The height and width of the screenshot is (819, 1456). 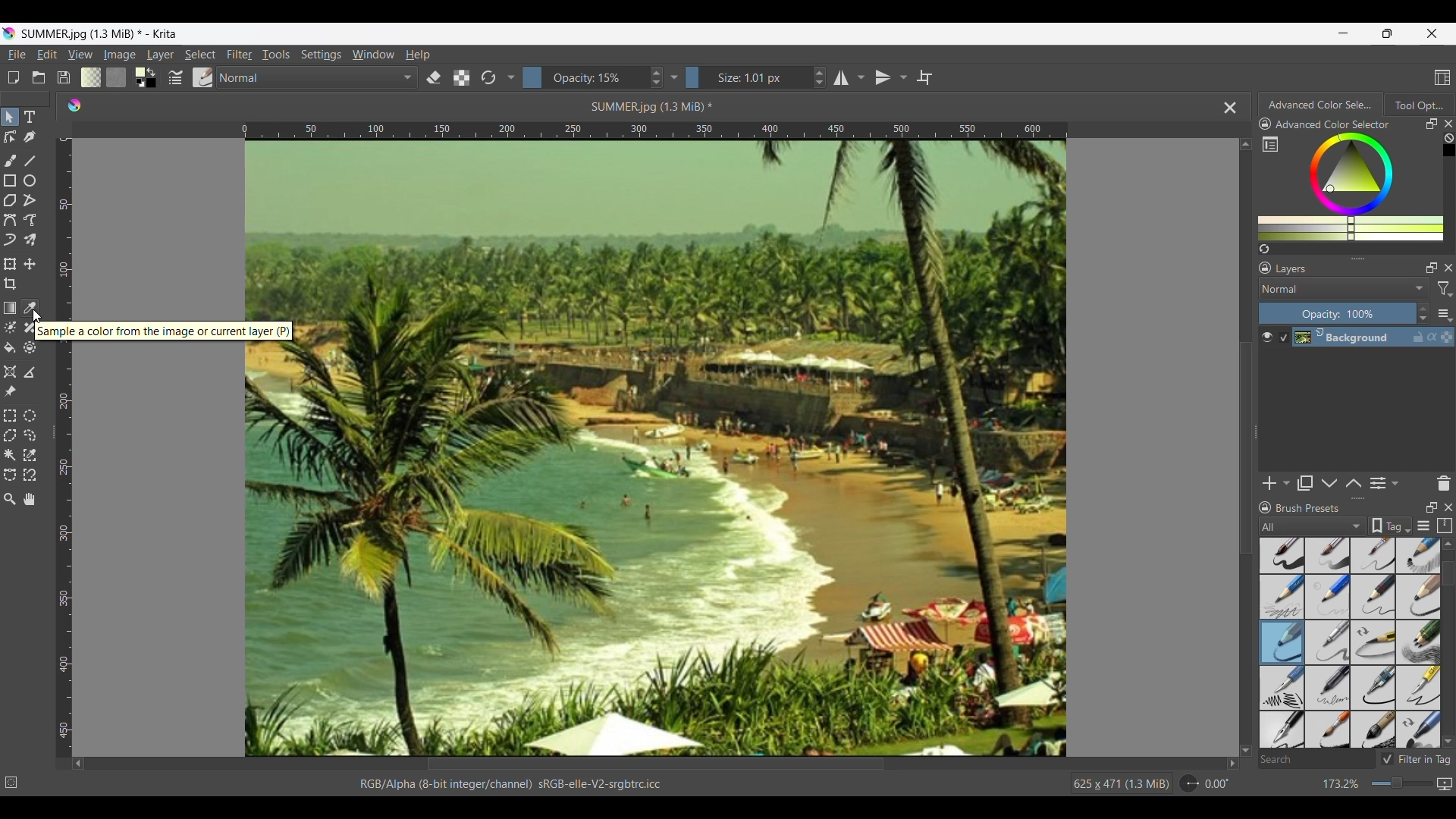 I want to click on Software logo, so click(x=74, y=105).